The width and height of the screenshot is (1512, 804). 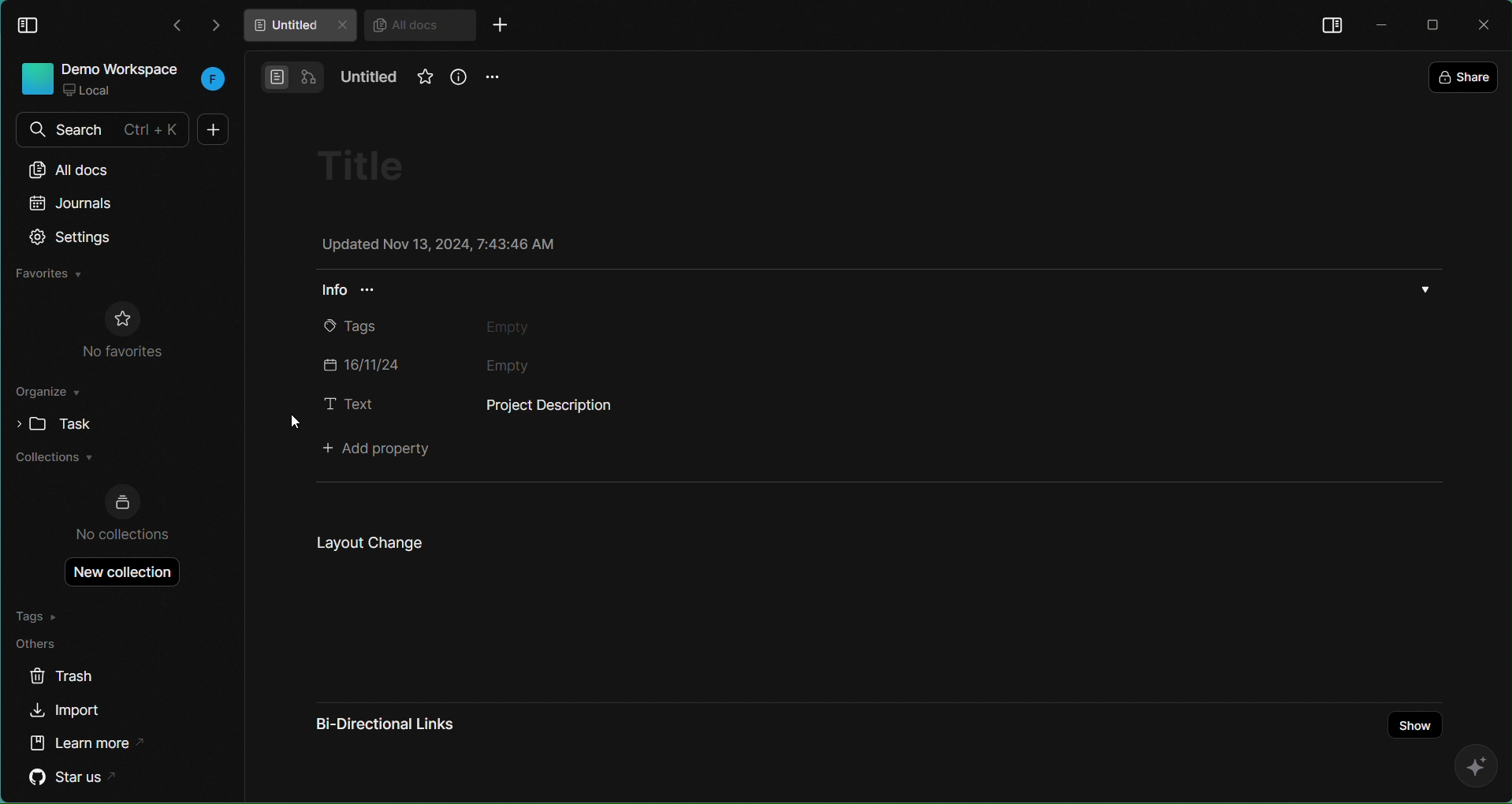 What do you see at coordinates (292, 75) in the screenshot?
I see `button` at bounding box center [292, 75].